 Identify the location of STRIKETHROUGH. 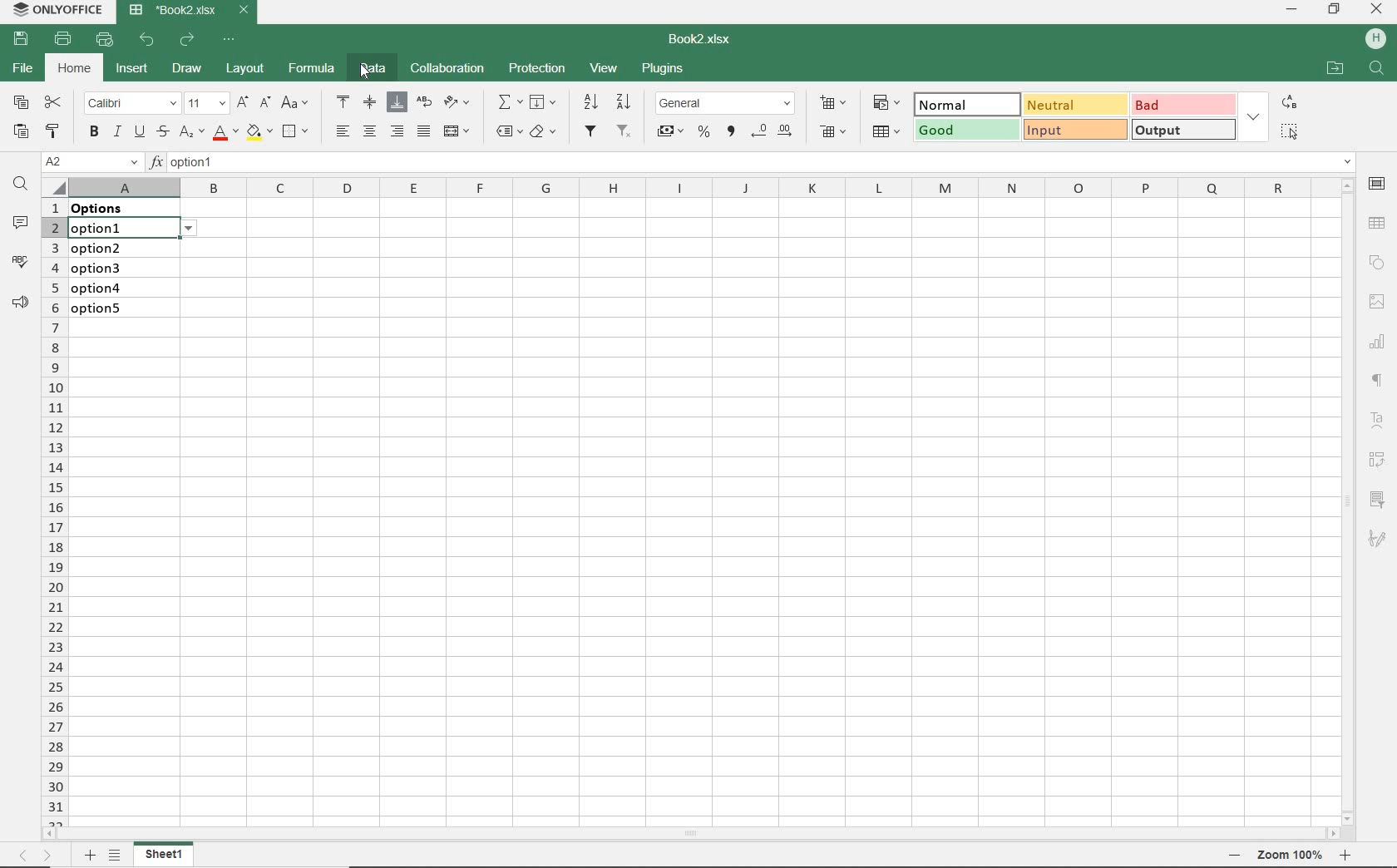
(163, 132).